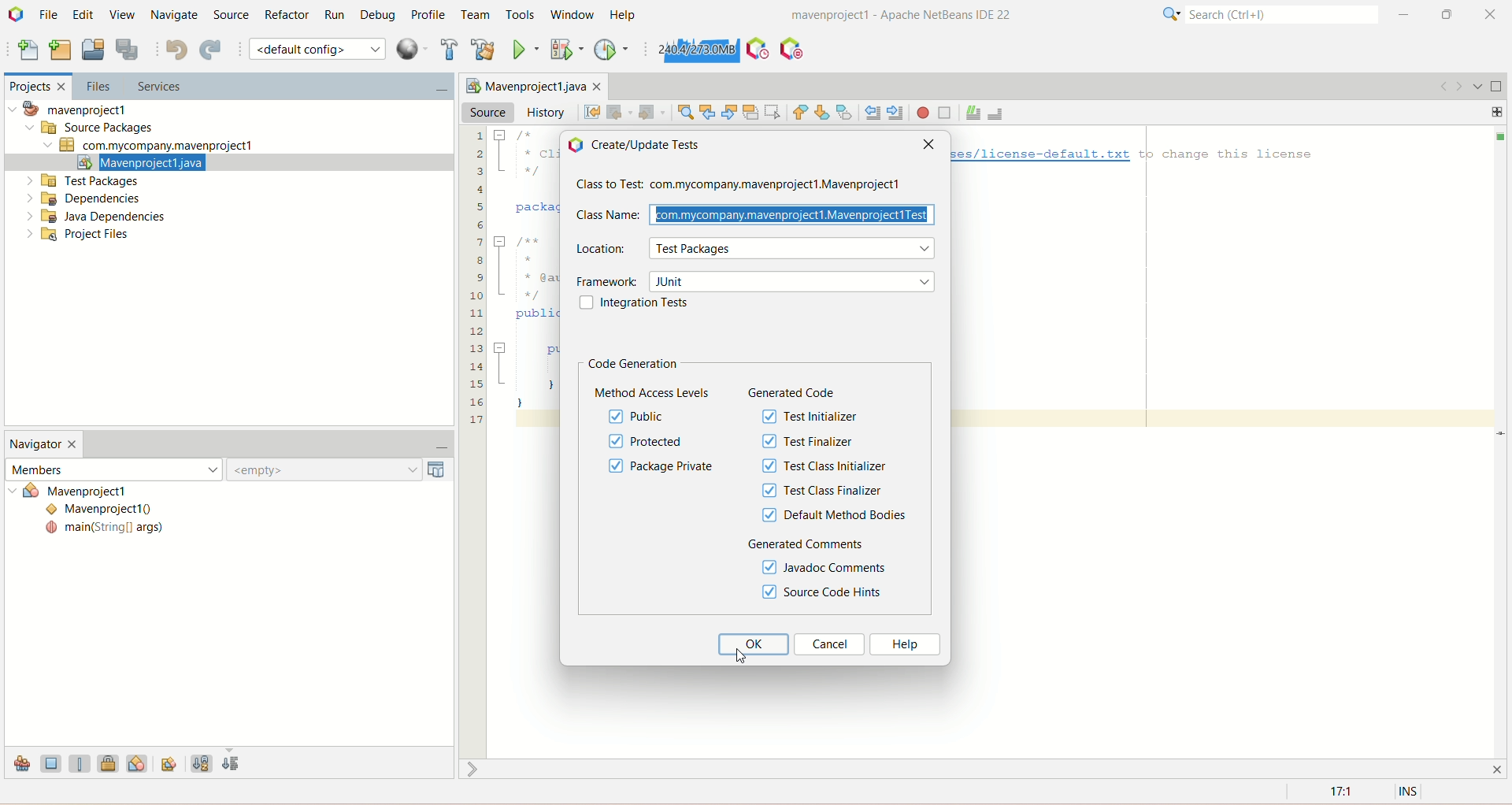 The height and width of the screenshot is (805, 1512). What do you see at coordinates (650, 417) in the screenshot?
I see `public` at bounding box center [650, 417].